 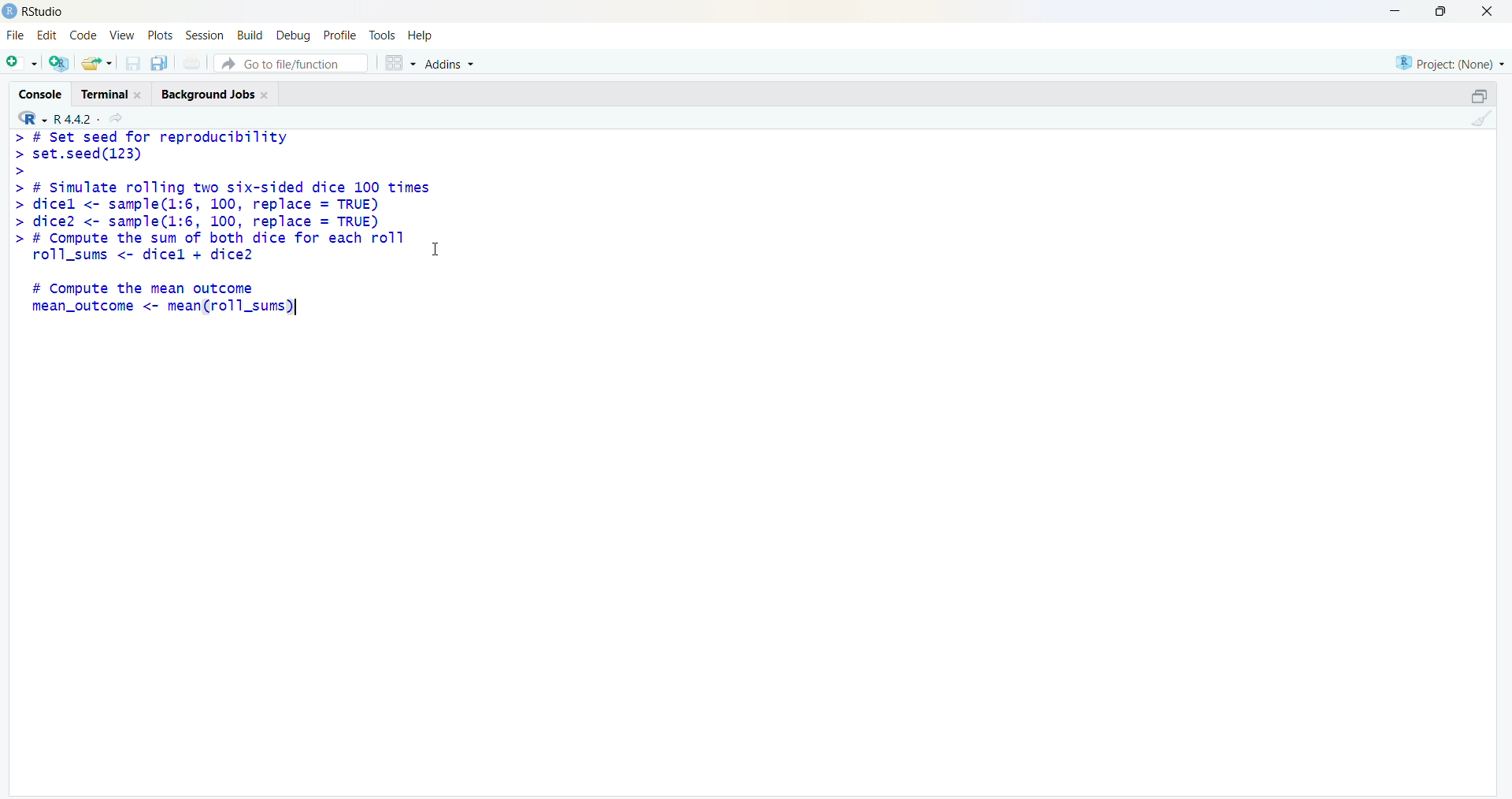 I want to click on copy, so click(x=159, y=62).